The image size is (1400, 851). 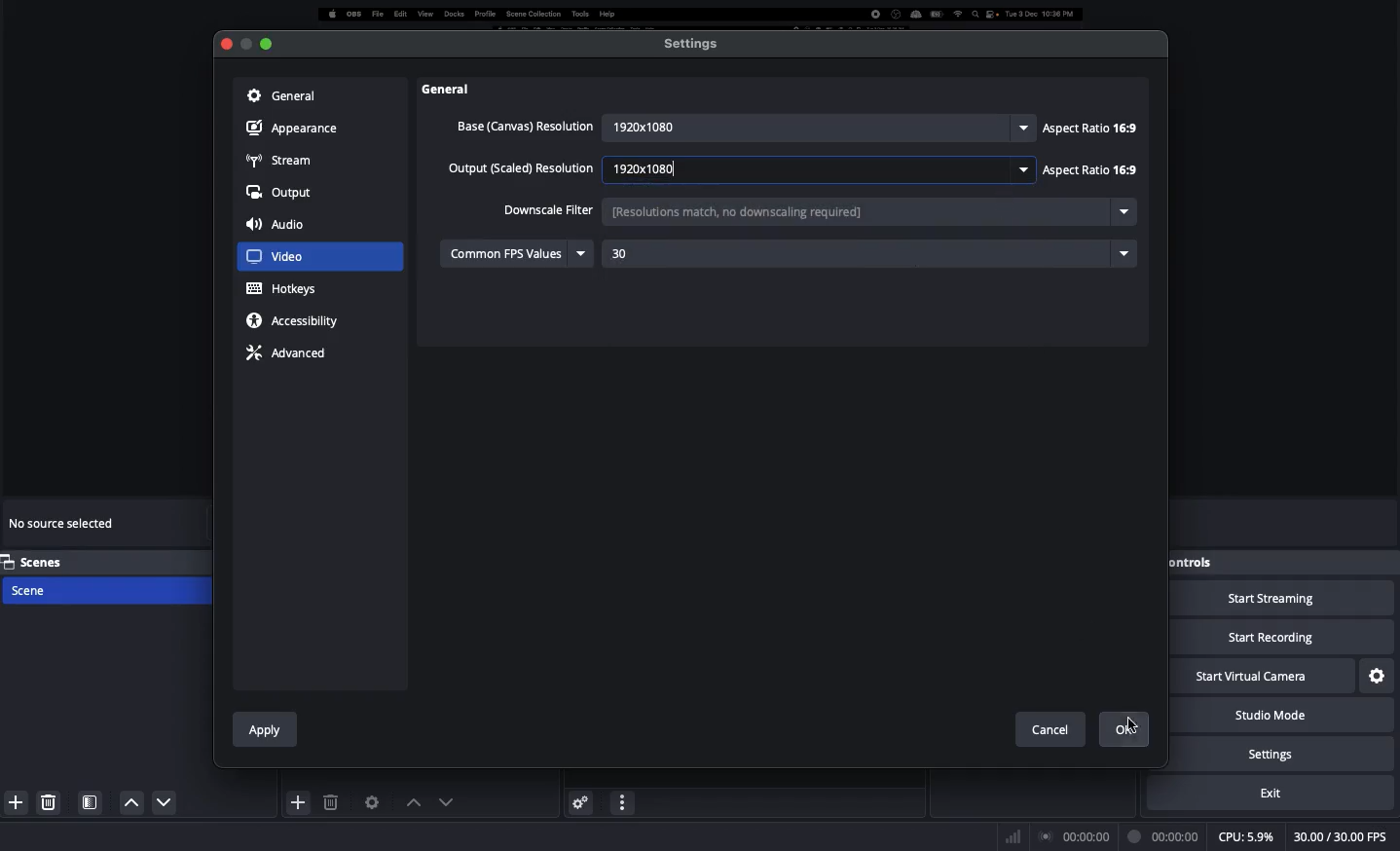 I want to click on Start recording, so click(x=1283, y=639).